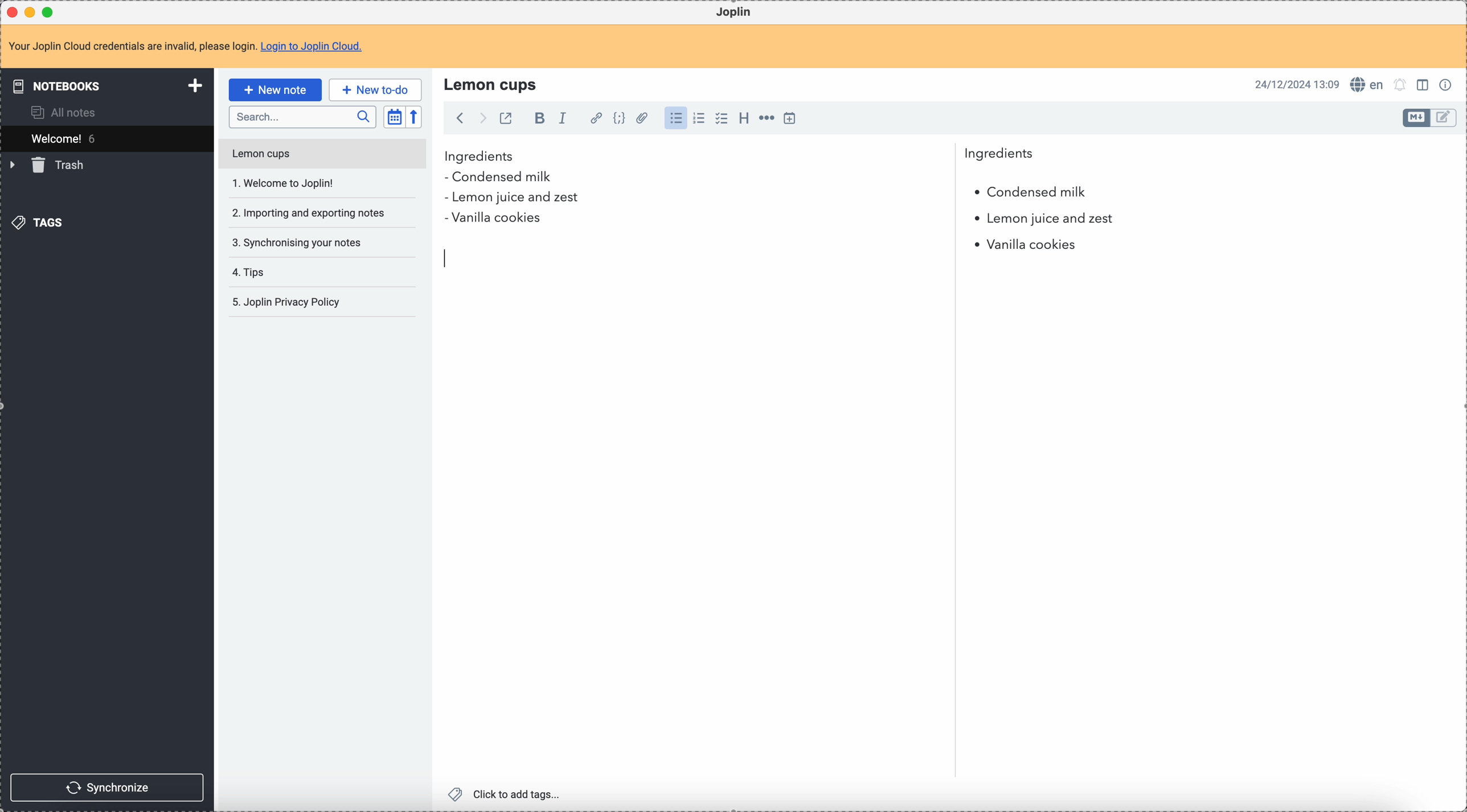  What do you see at coordinates (40, 222) in the screenshot?
I see `tags` at bounding box center [40, 222].